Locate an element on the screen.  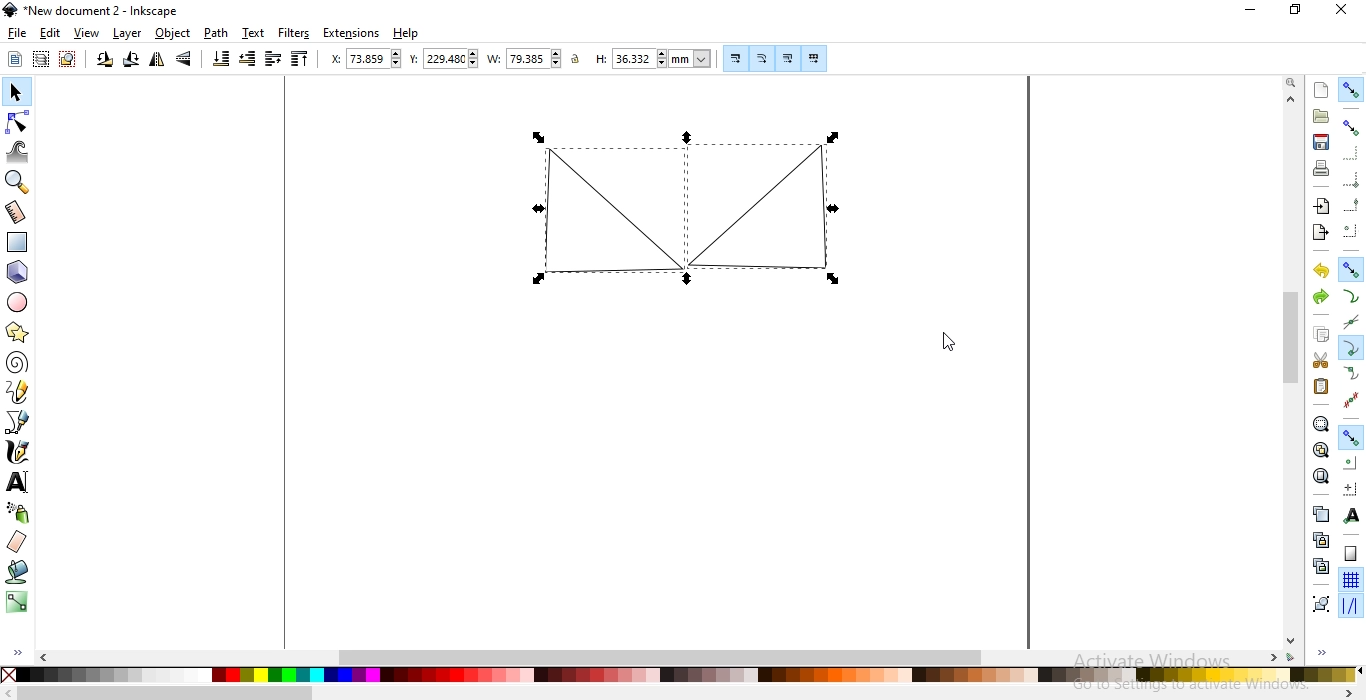
group selected objects is located at coordinates (1319, 601).